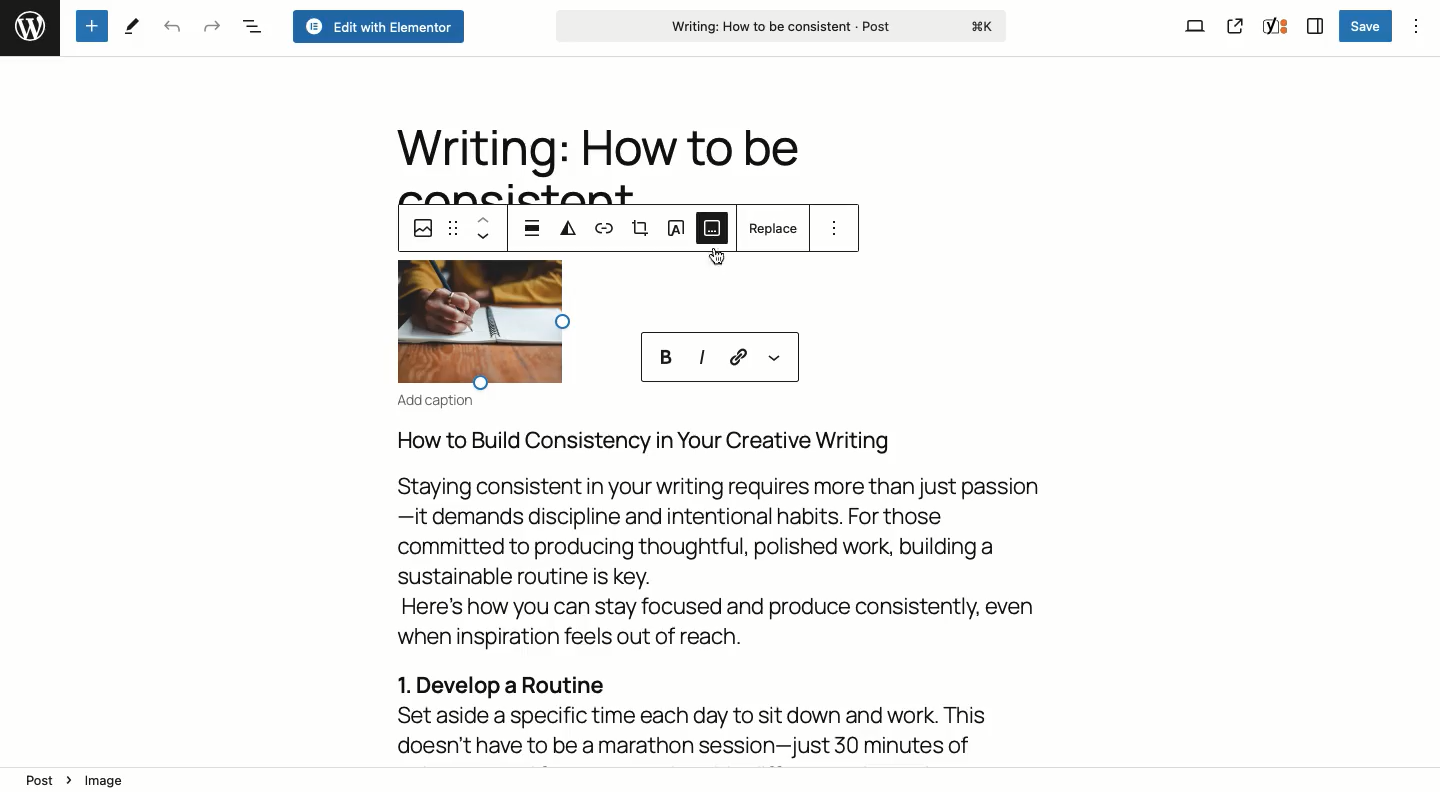 This screenshot has width=1440, height=792. What do you see at coordinates (110, 782) in the screenshot?
I see `image` at bounding box center [110, 782].